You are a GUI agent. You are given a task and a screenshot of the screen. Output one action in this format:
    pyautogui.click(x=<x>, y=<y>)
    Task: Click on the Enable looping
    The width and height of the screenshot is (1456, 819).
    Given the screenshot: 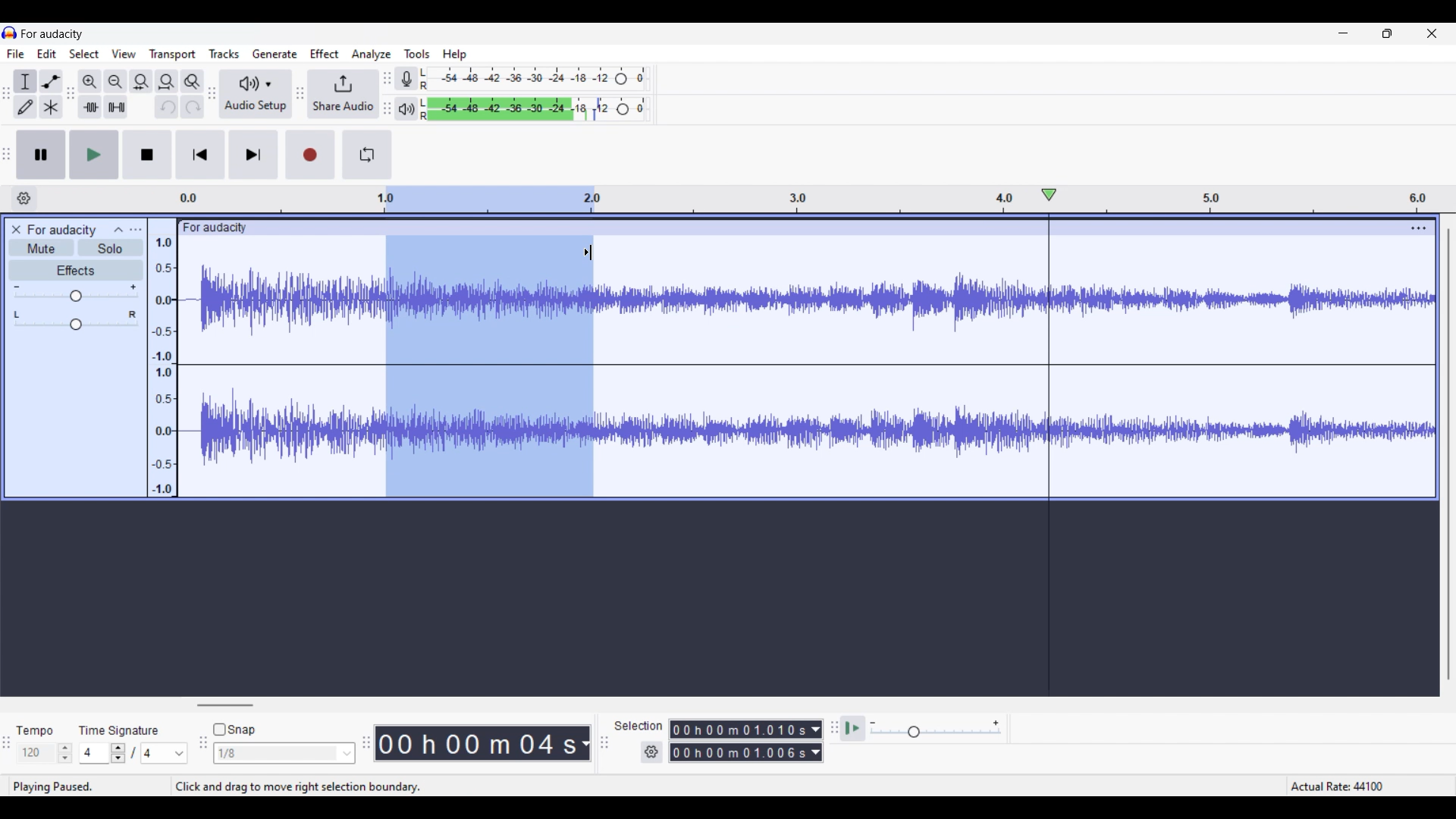 What is the action you would take?
    pyautogui.click(x=367, y=155)
    